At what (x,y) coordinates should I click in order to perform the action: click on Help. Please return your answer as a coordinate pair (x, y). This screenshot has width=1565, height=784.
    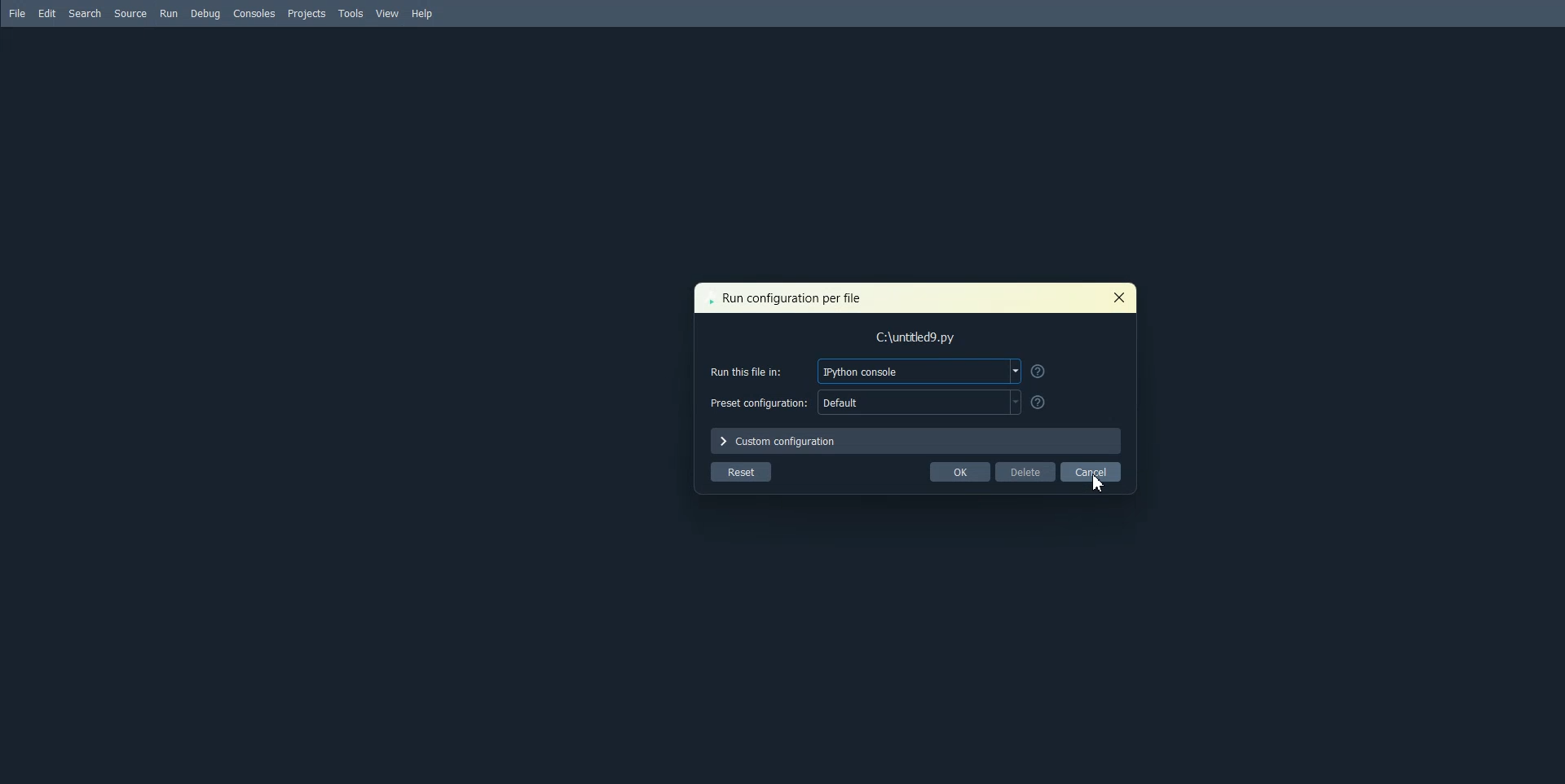
    Looking at the image, I should click on (422, 13).